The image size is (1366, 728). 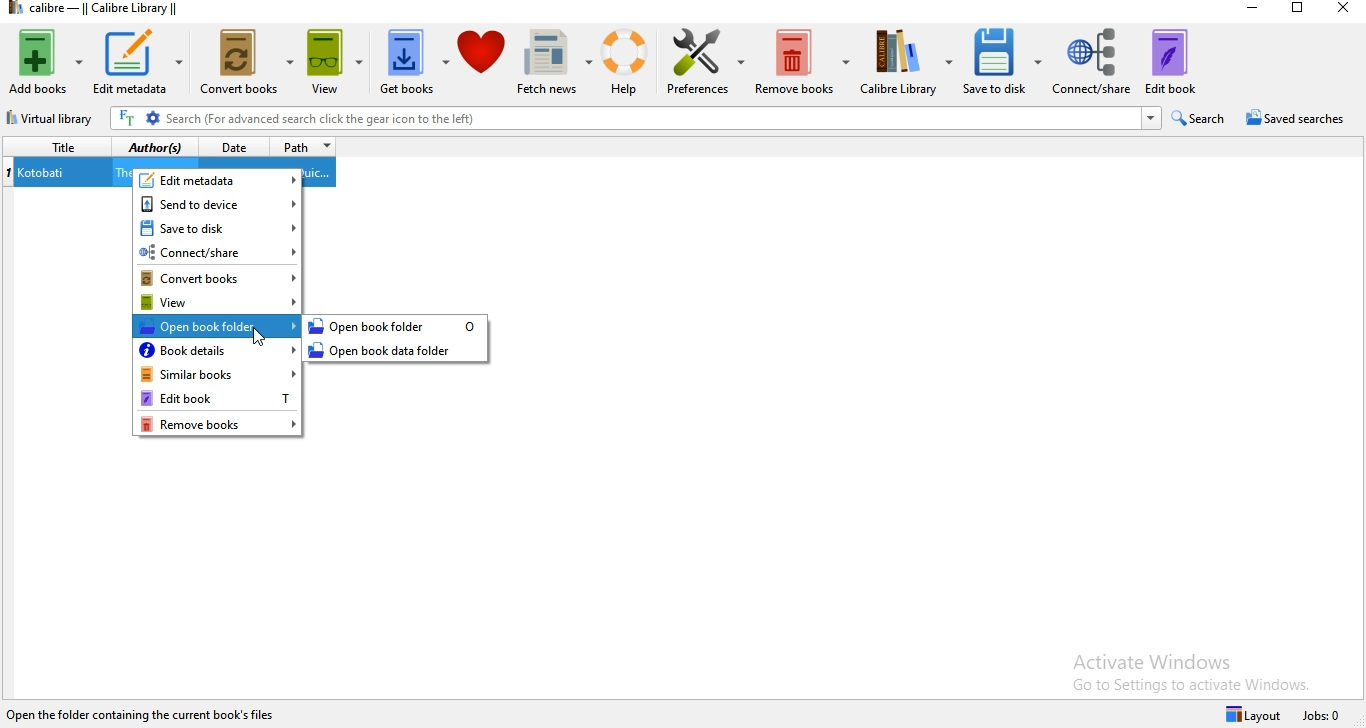 I want to click on edit metadata, so click(x=144, y=63).